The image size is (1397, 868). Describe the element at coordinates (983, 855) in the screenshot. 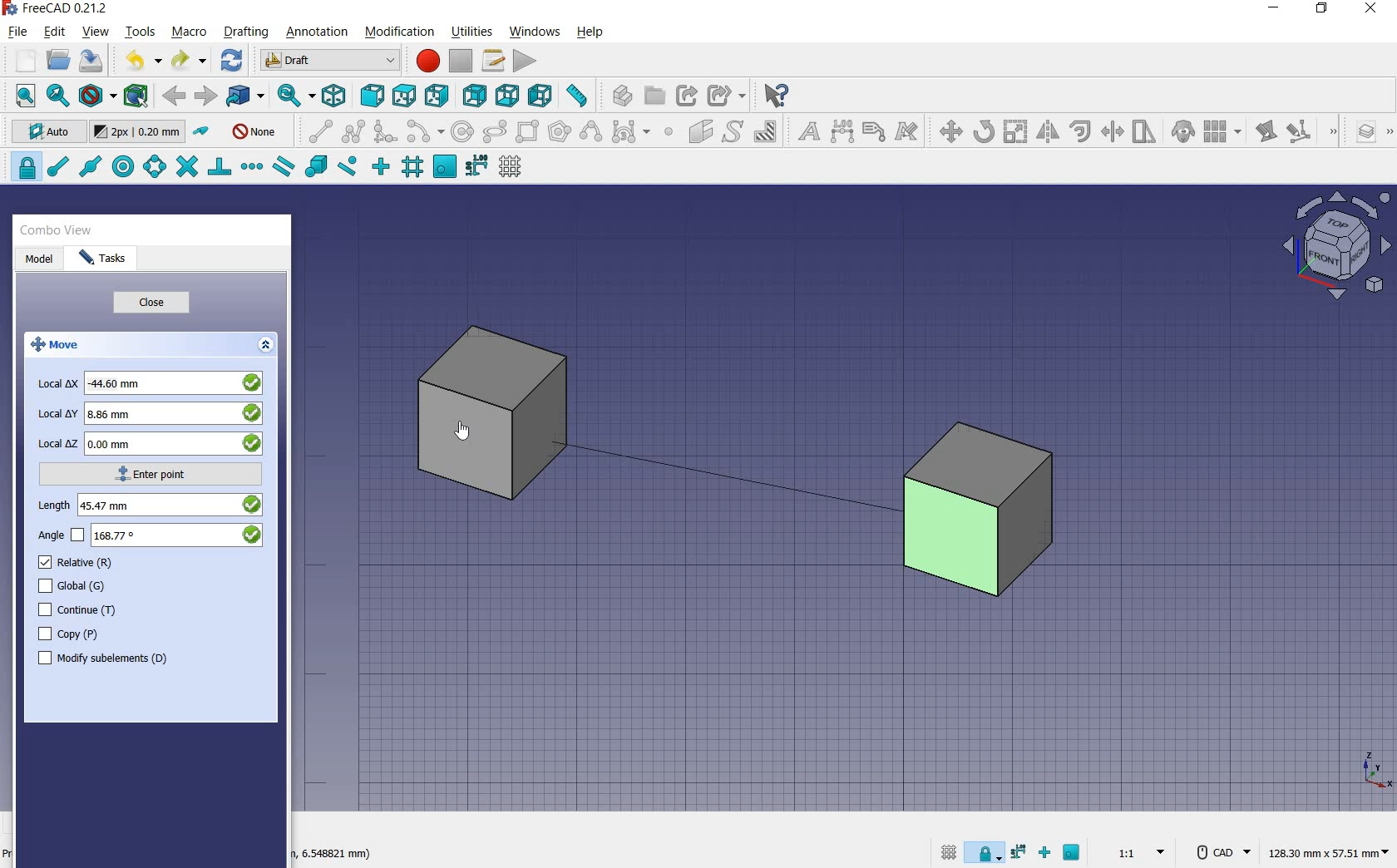

I see `snap lock` at that location.